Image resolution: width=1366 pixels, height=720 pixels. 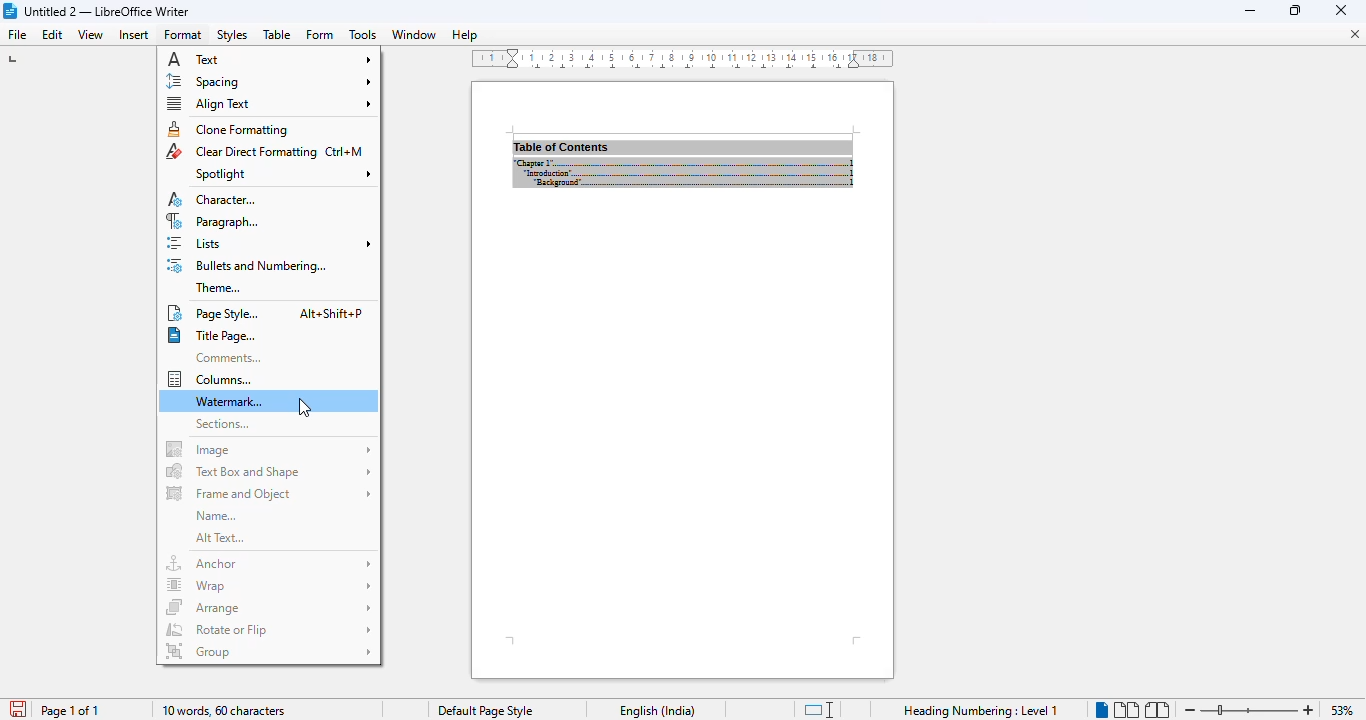 I want to click on wrap, so click(x=269, y=585).